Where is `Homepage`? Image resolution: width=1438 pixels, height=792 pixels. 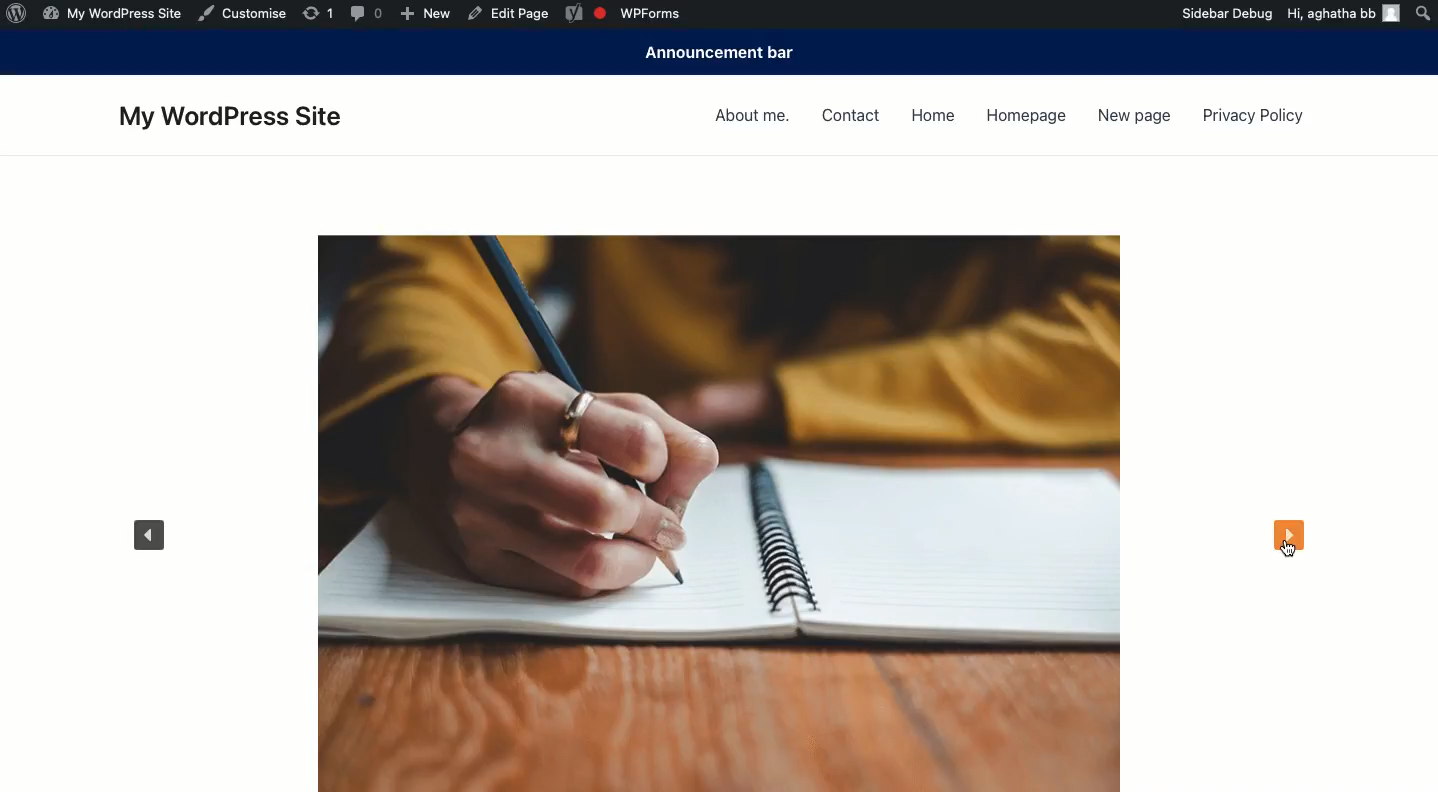
Homepage is located at coordinates (1023, 116).